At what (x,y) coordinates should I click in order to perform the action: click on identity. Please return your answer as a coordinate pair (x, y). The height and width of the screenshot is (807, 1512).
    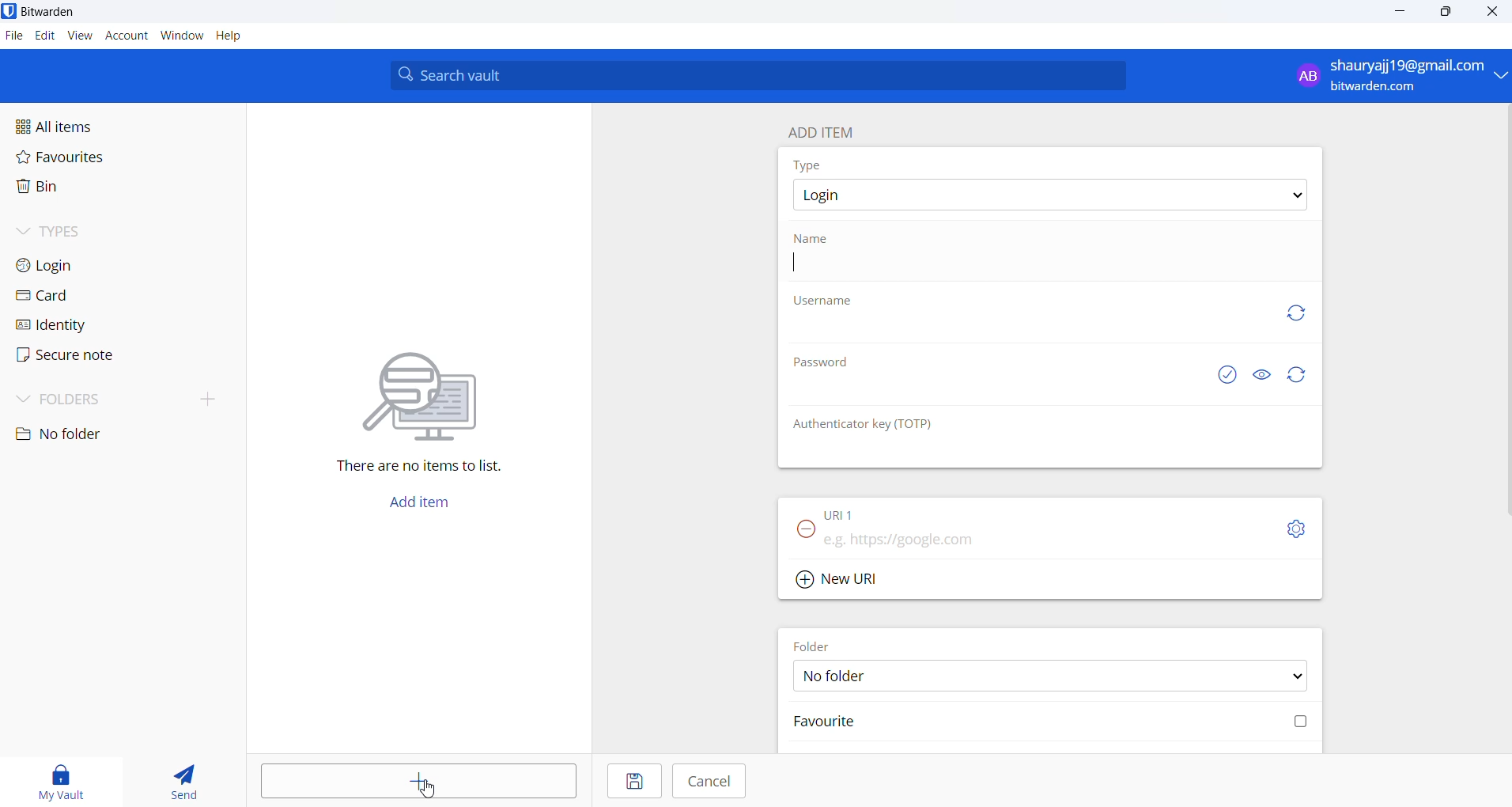
    Looking at the image, I should click on (89, 325).